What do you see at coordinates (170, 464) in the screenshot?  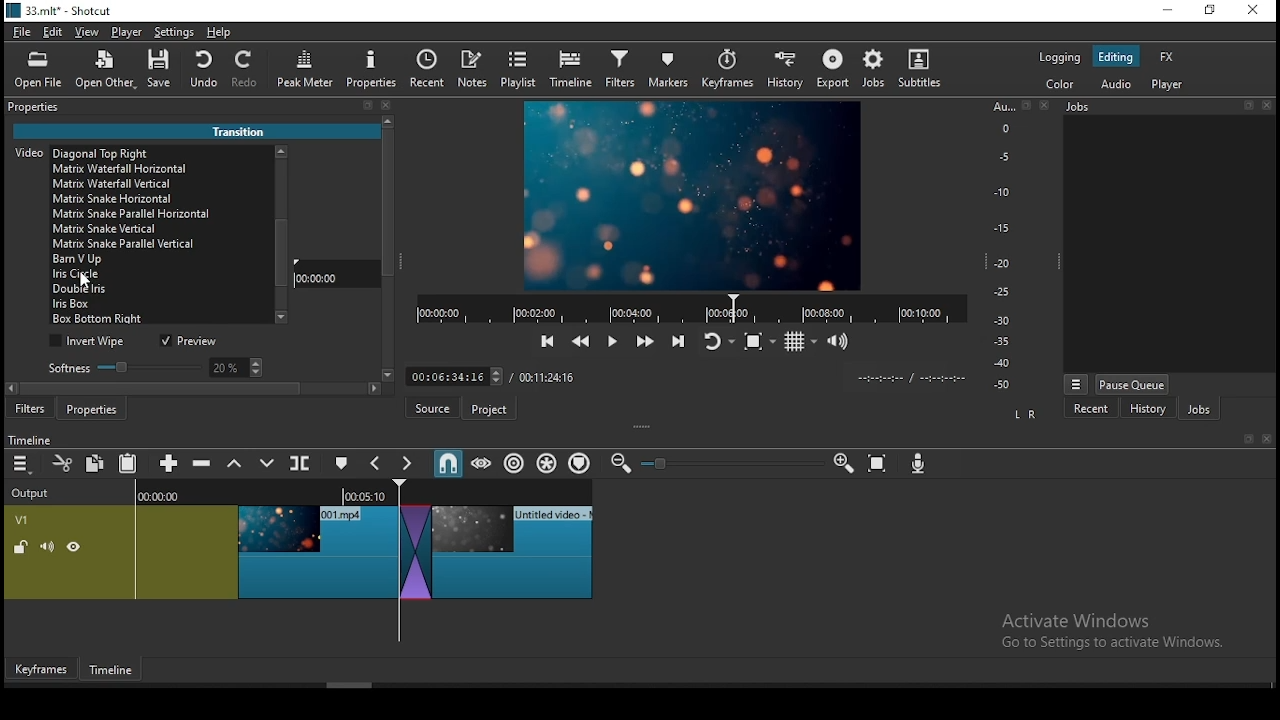 I see `append` at bounding box center [170, 464].